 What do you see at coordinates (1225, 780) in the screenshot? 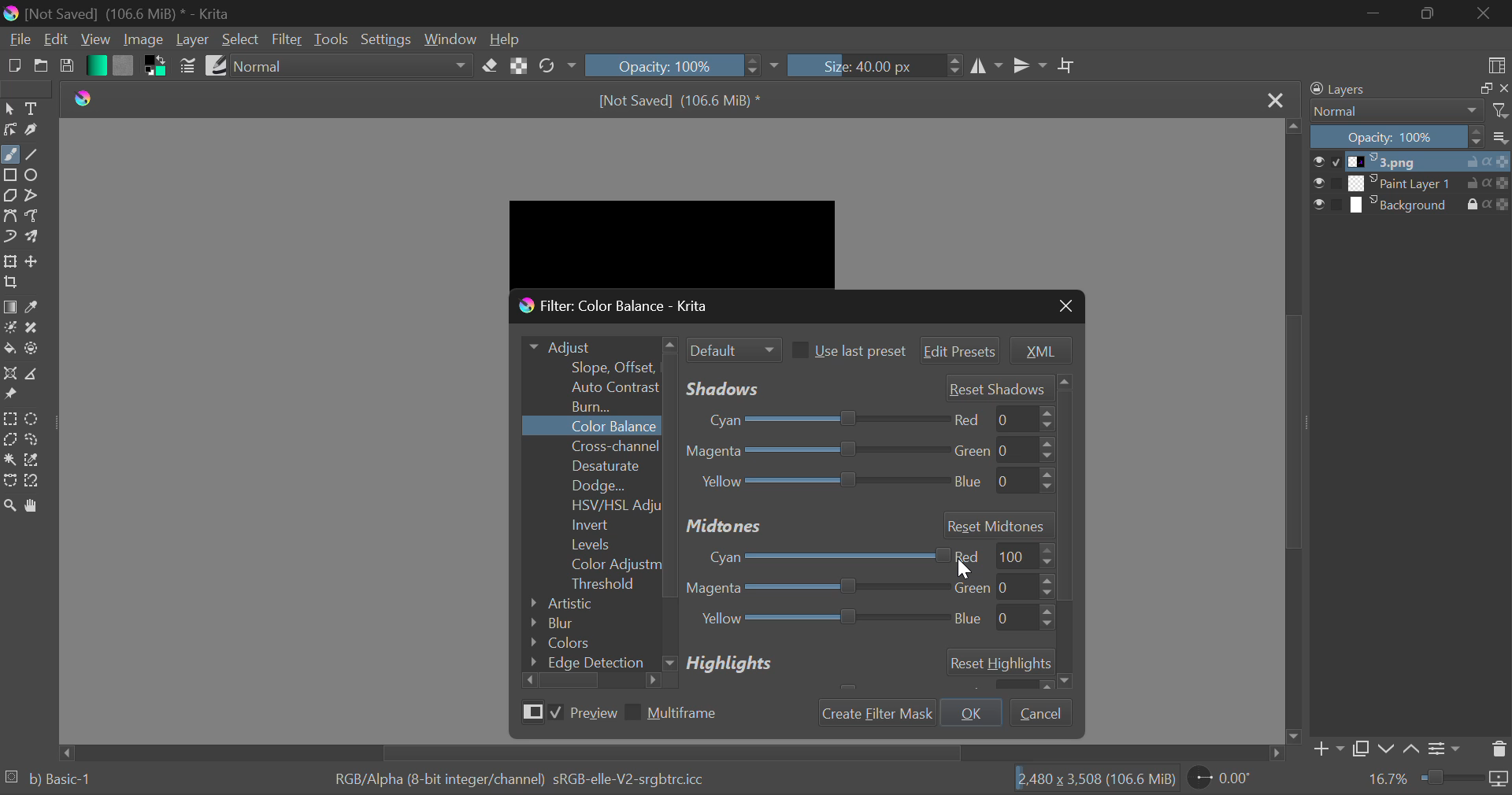
I see `0.00` at bounding box center [1225, 780].